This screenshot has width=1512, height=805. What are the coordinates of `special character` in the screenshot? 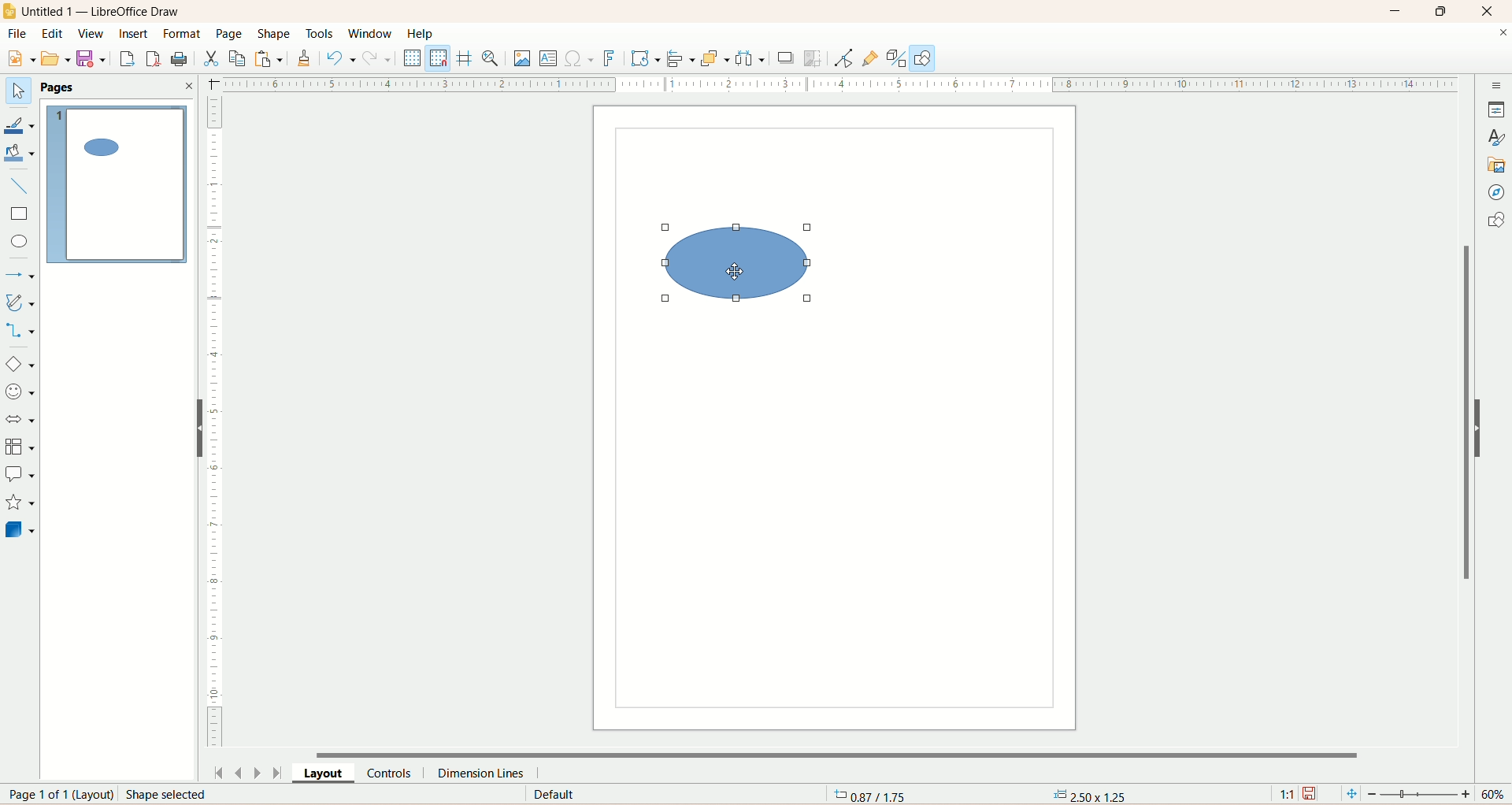 It's located at (578, 59).